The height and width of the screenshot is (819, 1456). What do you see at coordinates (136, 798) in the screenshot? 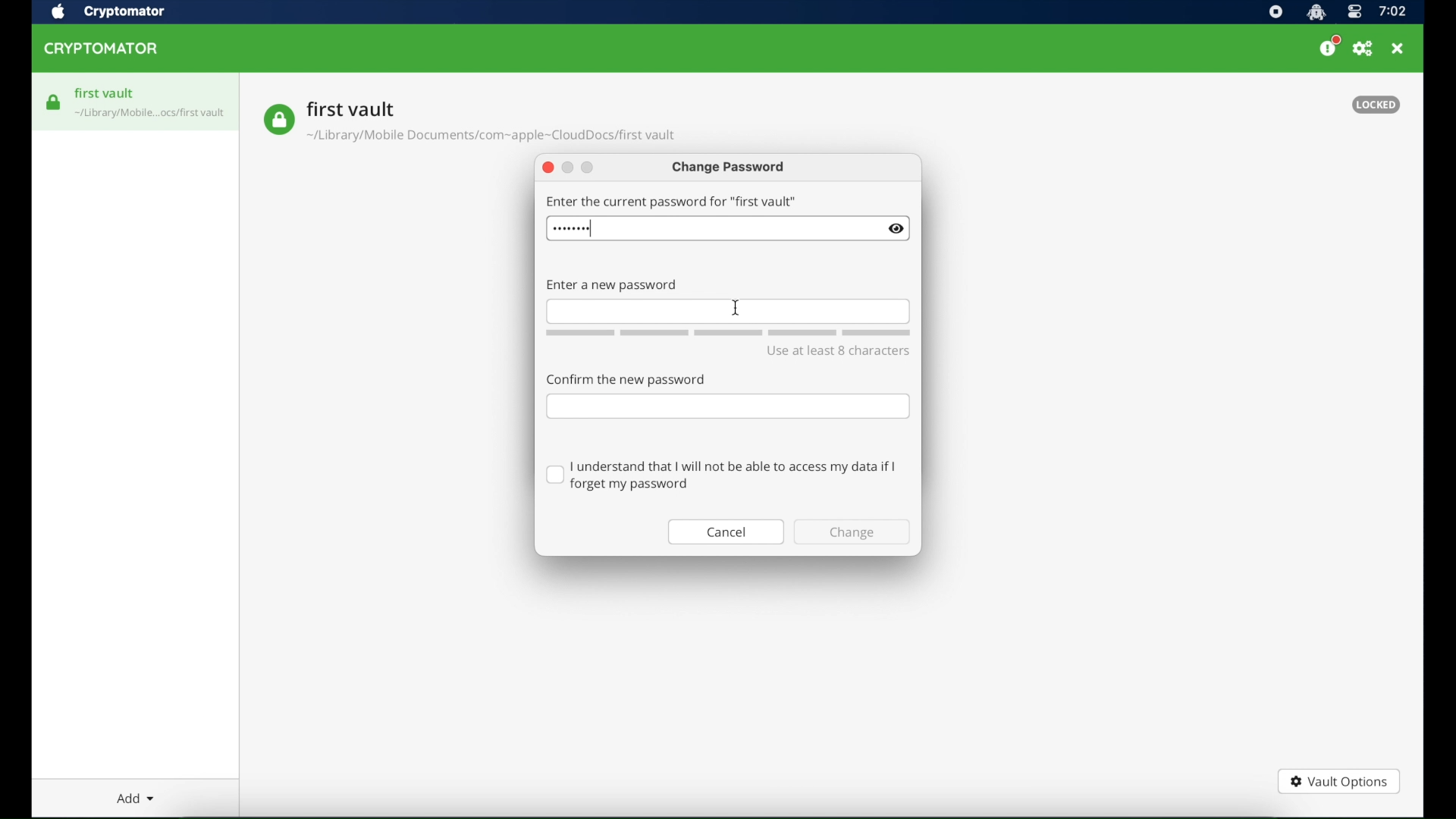
I see `add dropdown` at bounding box center [136, 798].